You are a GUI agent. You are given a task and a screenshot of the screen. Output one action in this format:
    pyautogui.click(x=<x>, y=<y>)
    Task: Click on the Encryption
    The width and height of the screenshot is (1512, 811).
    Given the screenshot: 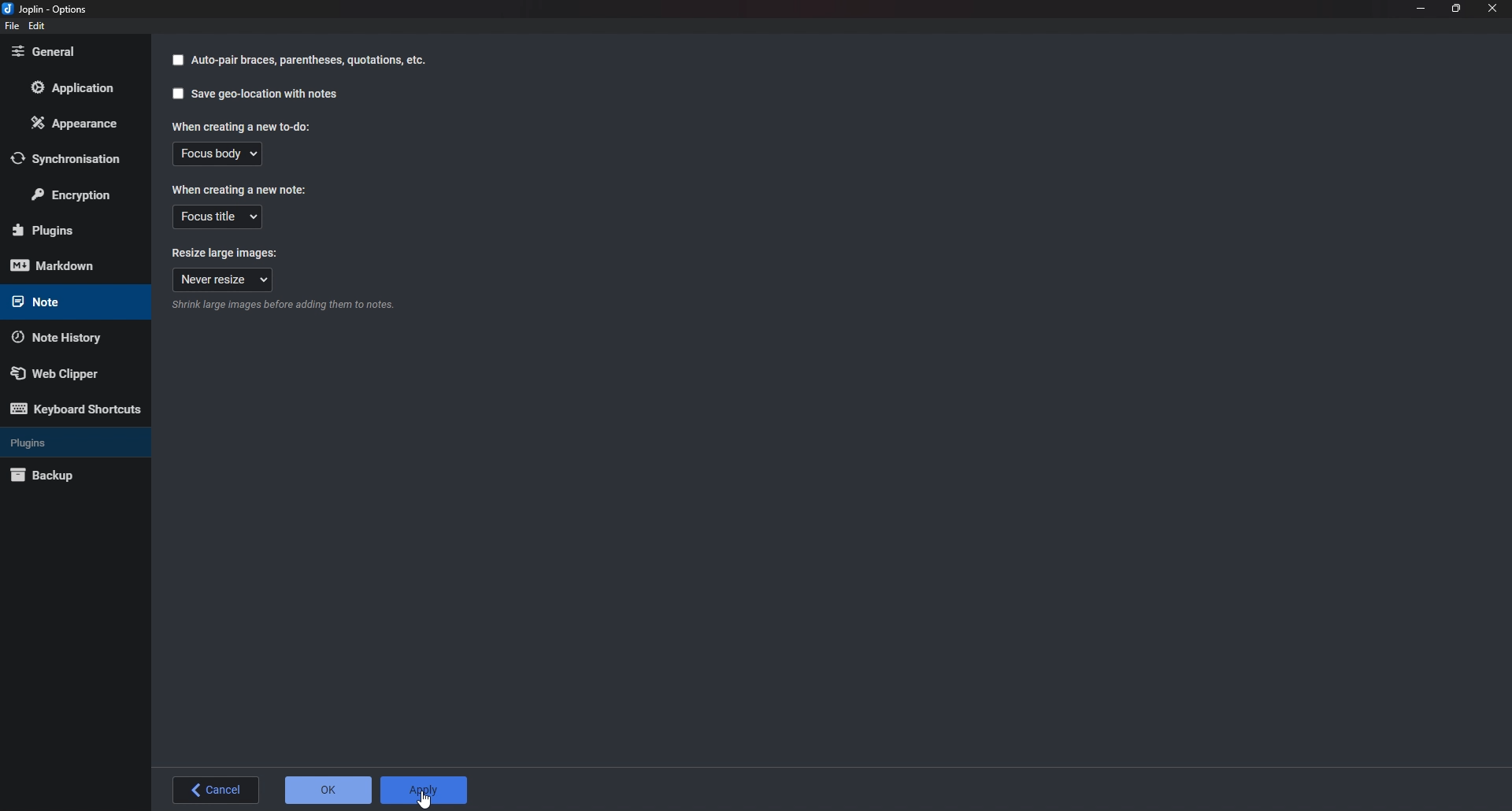 What is the action you would take?
    pyautogui.click(x=80, y=192)
    